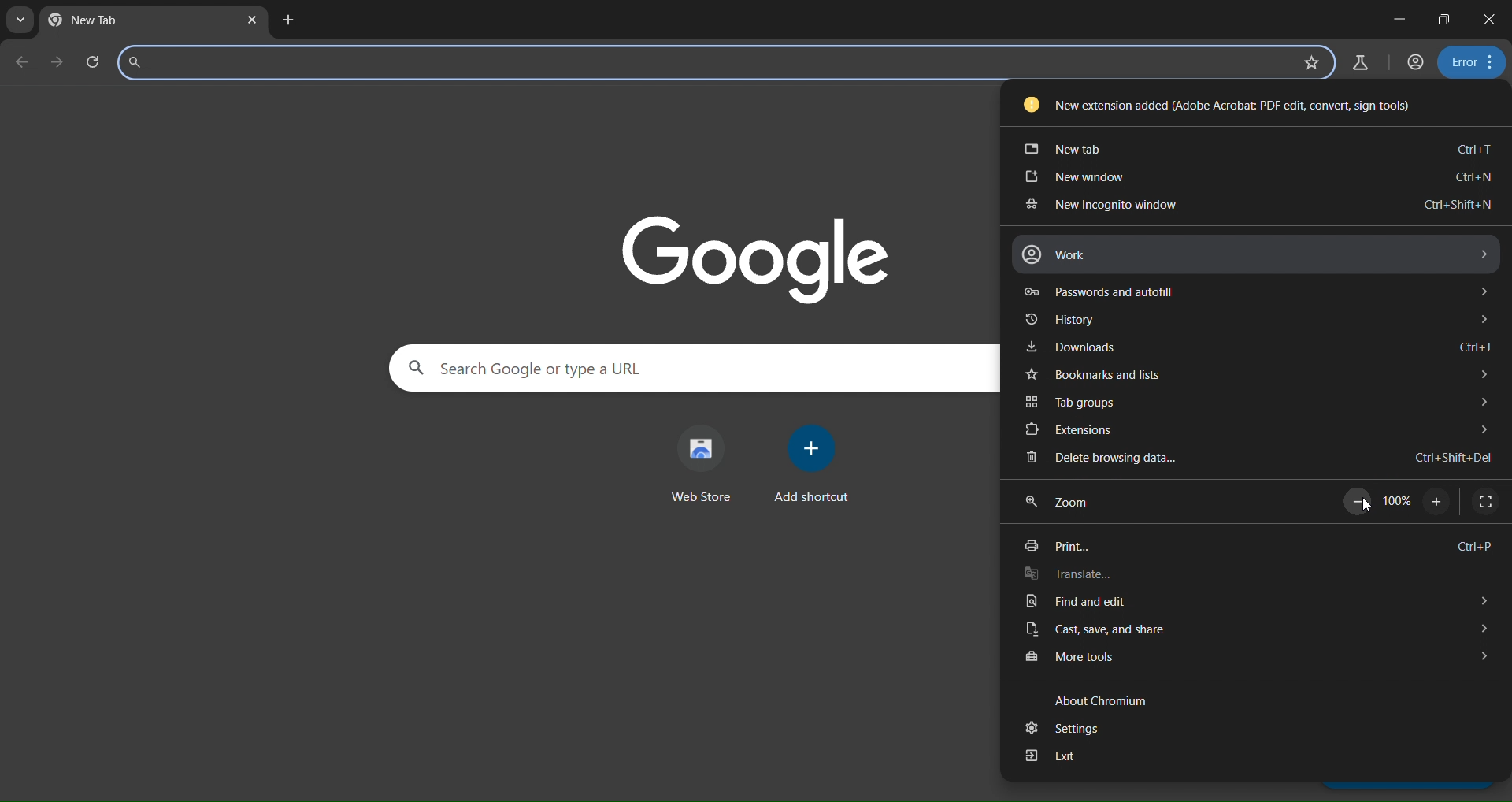 Image resolution: width=1512 pixels, height=802 pixels. What do you see at coordinates (809, 463) in the screenshot?
I see `add shortcut` at bounding box center [809, 463].